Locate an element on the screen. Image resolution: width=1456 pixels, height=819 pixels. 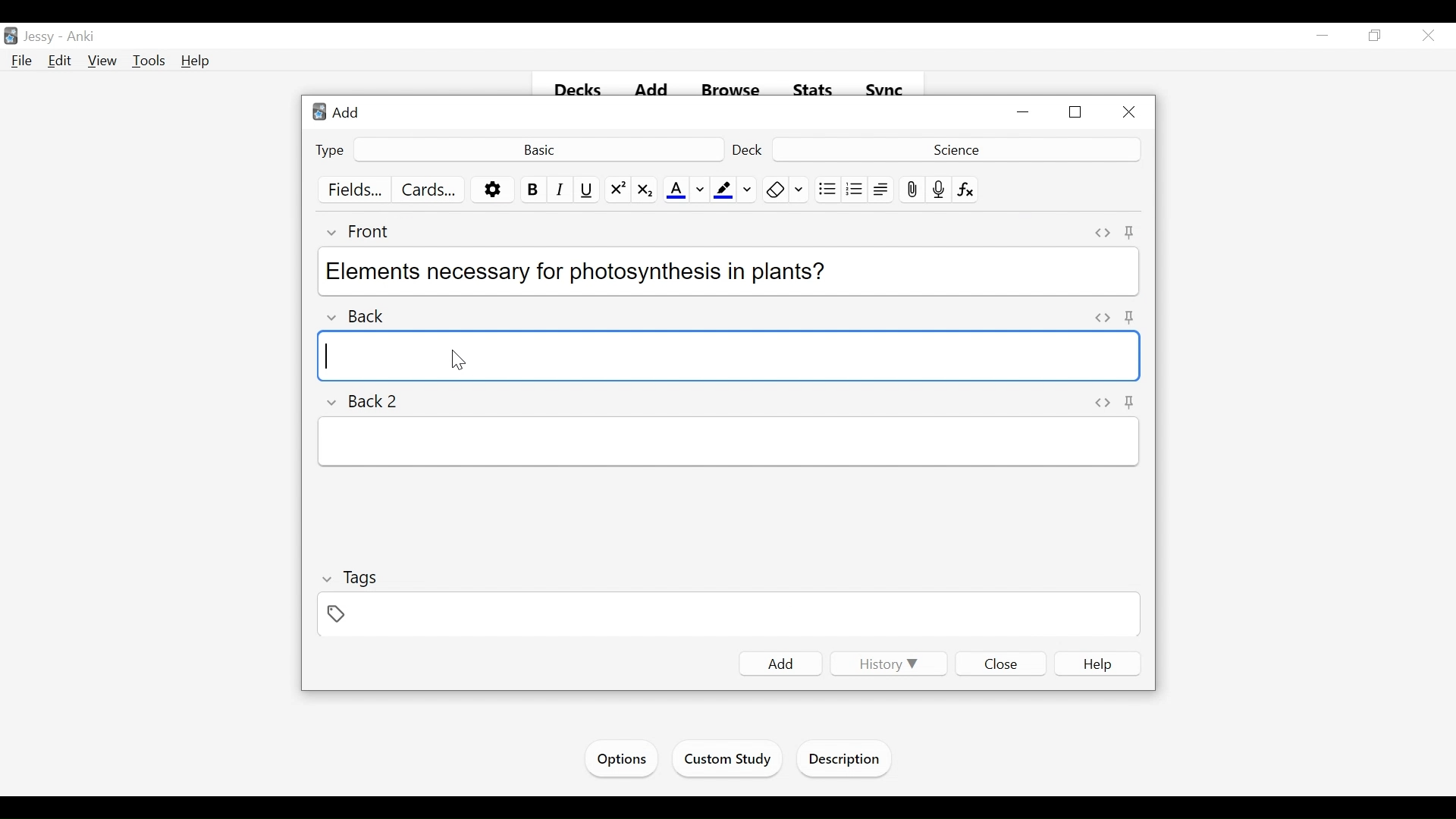
Toggle HTML Editor is located at coordinates (1103, 401).